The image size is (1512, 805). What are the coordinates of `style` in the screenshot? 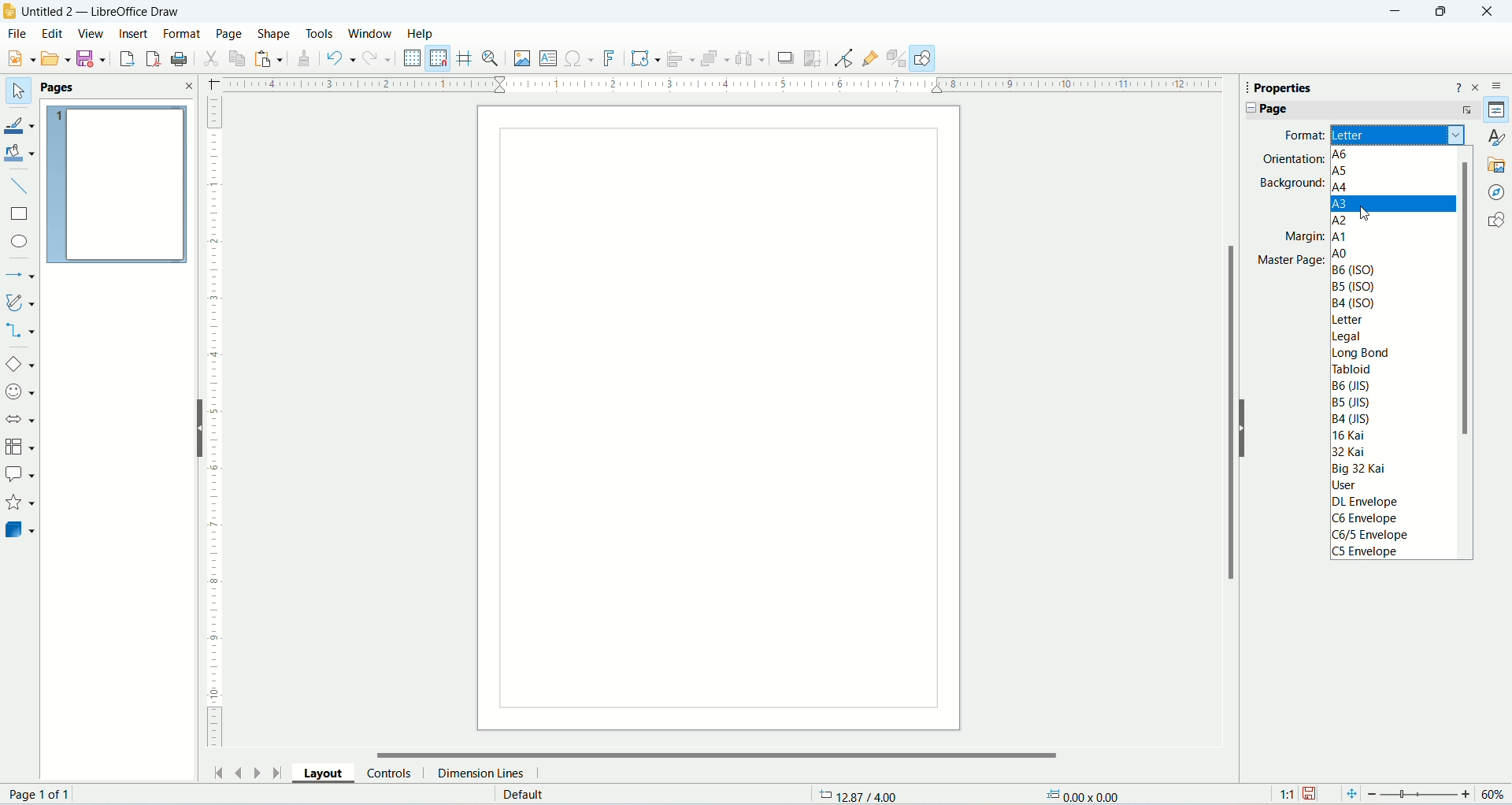 It's located at (1498, 136).